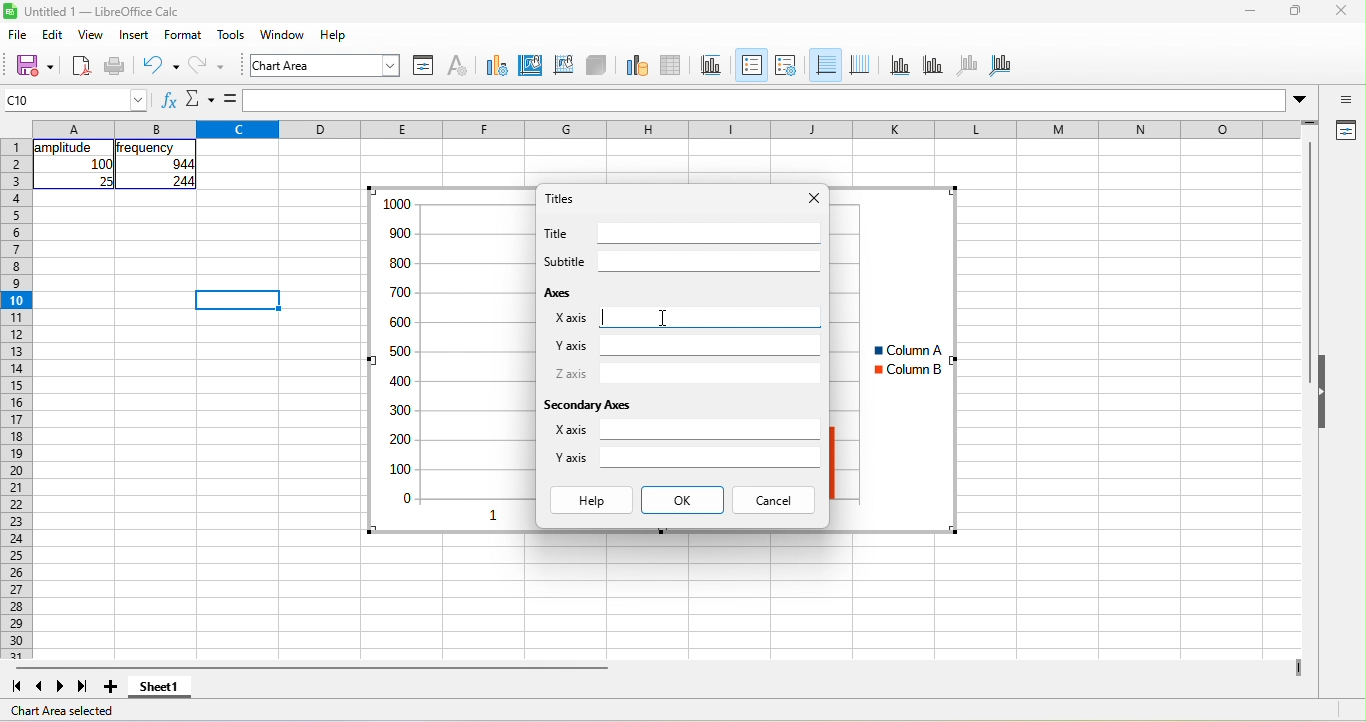 The width and height of the screenshot is (1366, 722). I want to click on data range, so click(637, 66).